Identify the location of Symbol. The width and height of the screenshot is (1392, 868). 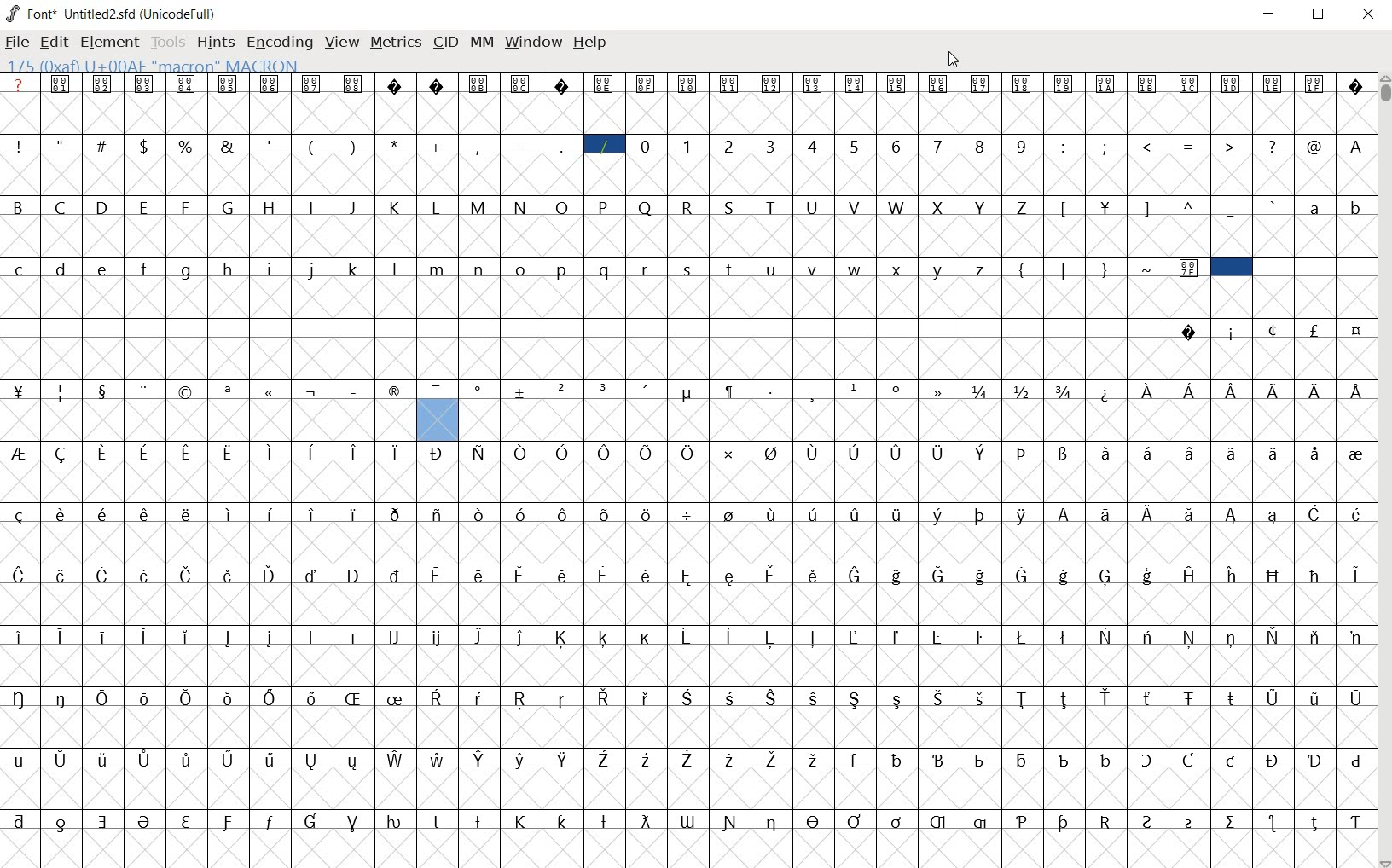
(1314, 822).